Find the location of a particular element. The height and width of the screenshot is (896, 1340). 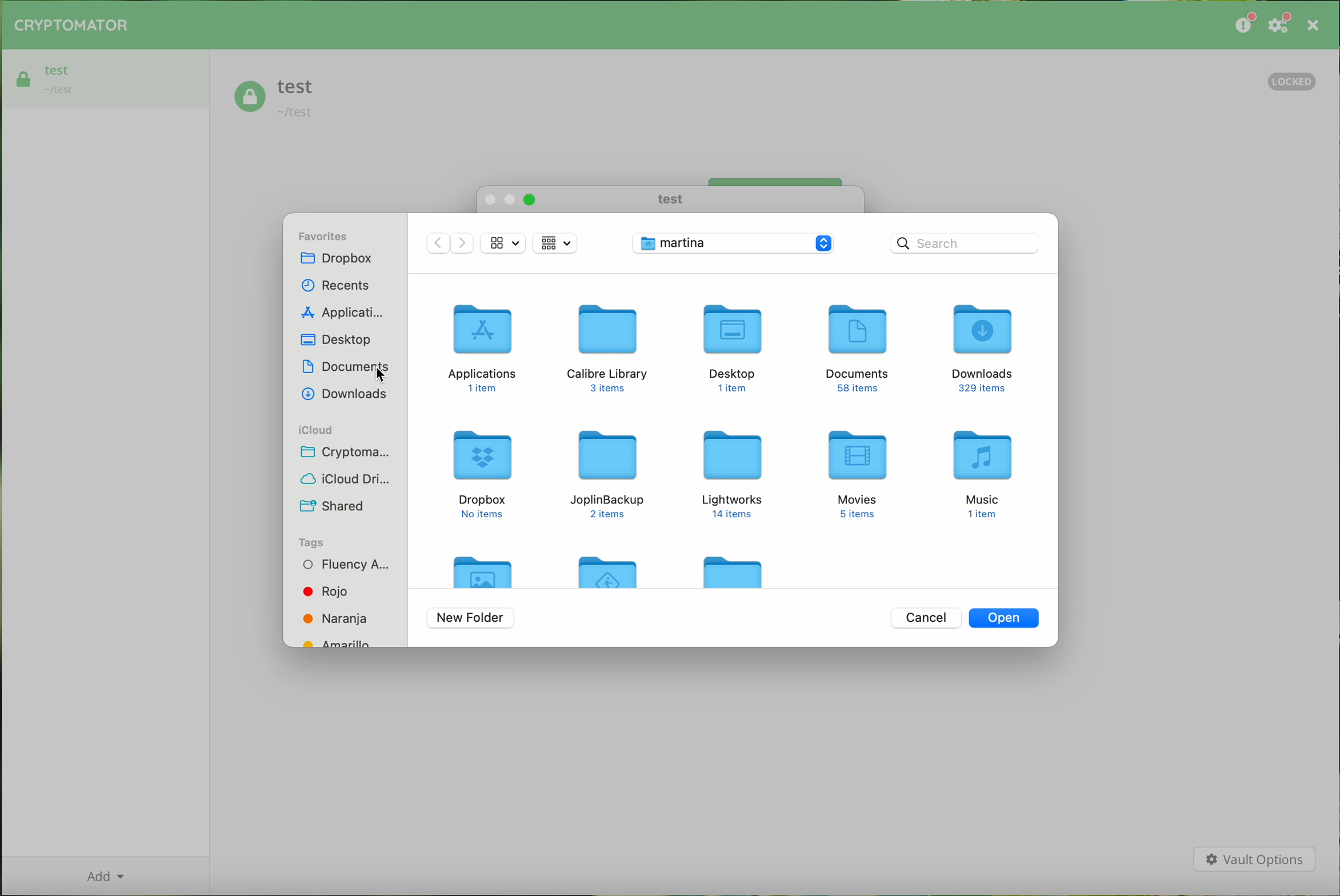

shared is located at coordinates (331, 503).